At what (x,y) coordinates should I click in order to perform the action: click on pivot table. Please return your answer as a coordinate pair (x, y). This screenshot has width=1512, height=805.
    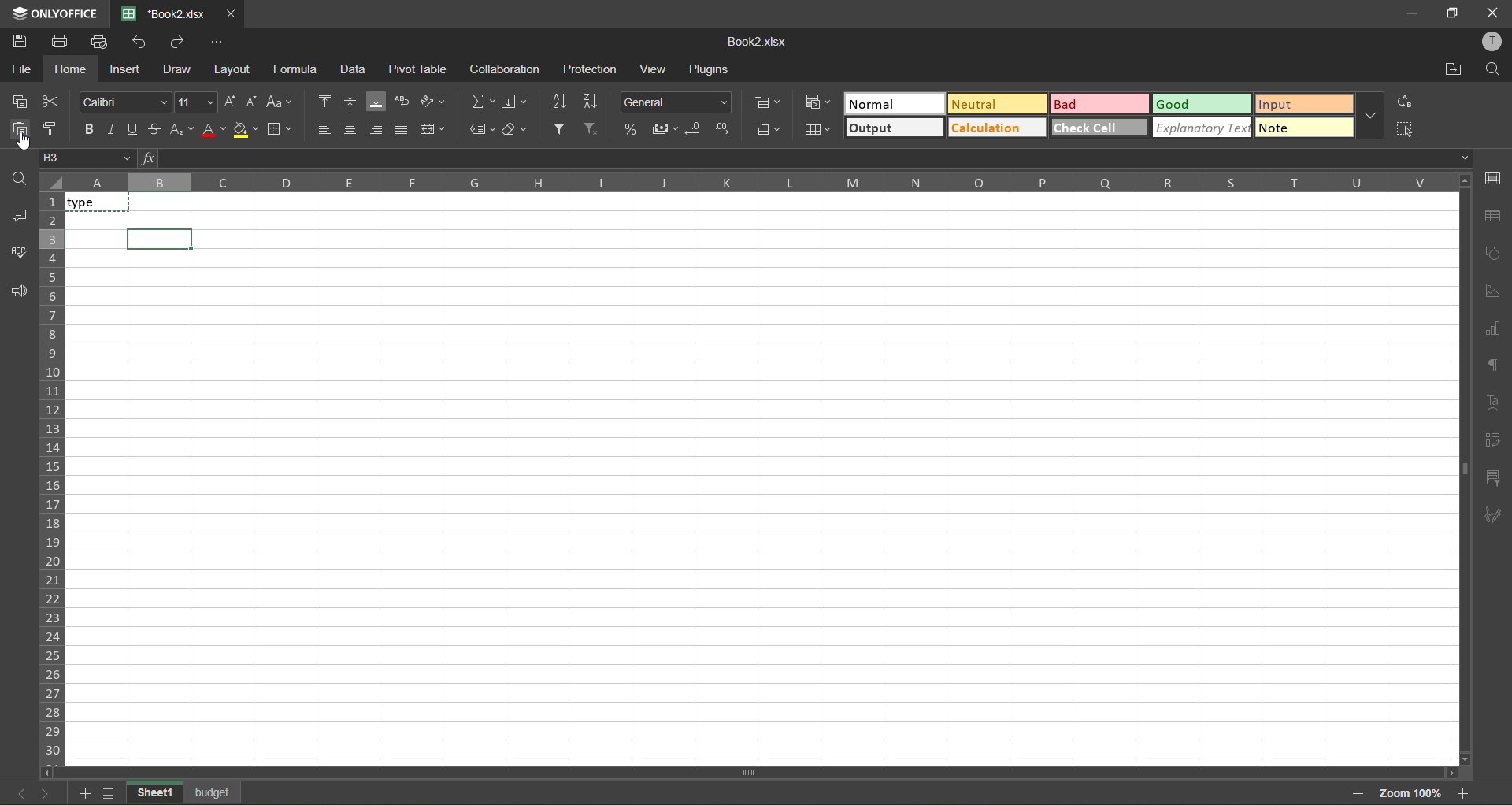
    Looking at the image, I should click on (419, 69).